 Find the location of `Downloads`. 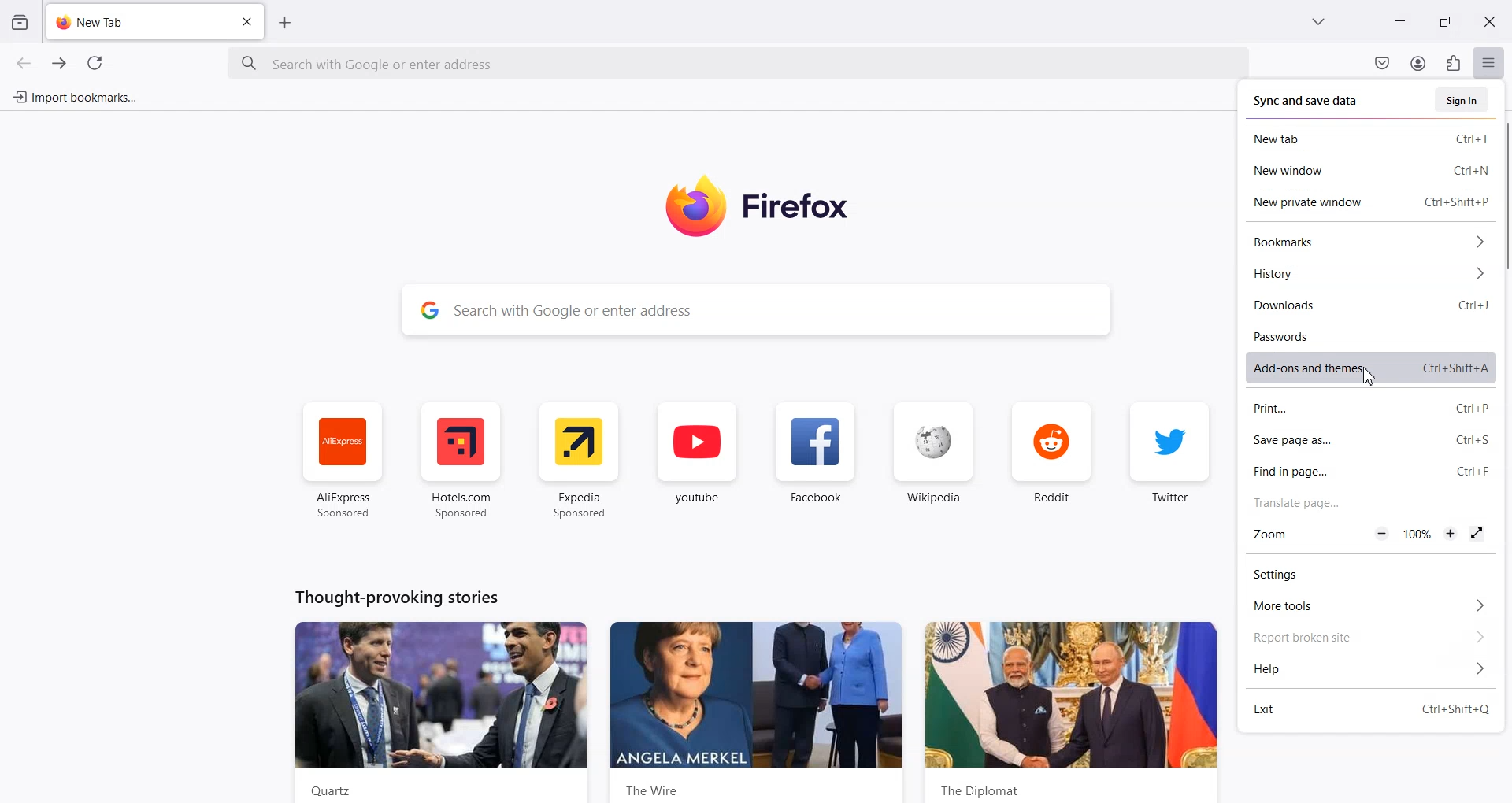

Downloads is located at coordinates (1366, 305).